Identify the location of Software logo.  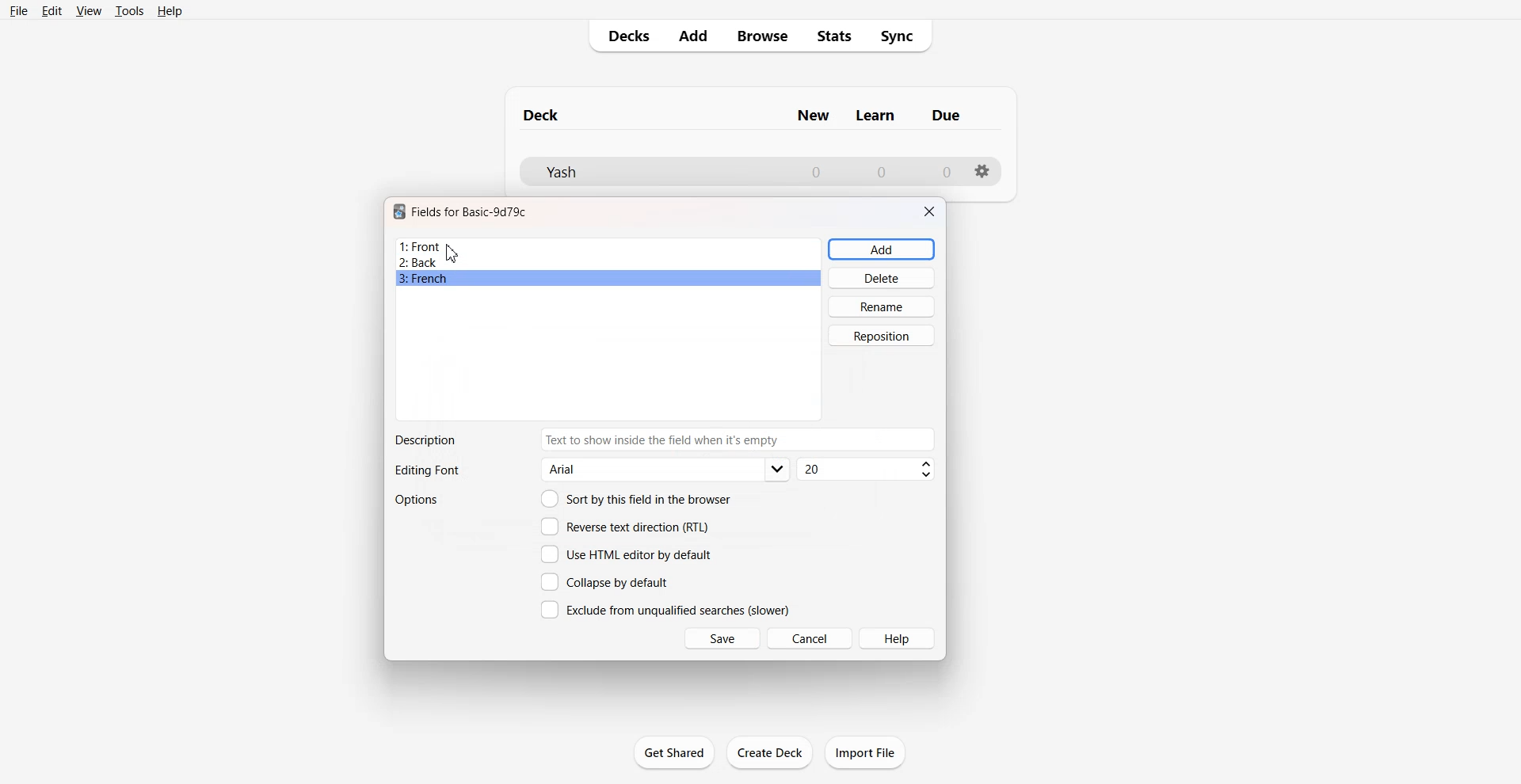
(399, 211).